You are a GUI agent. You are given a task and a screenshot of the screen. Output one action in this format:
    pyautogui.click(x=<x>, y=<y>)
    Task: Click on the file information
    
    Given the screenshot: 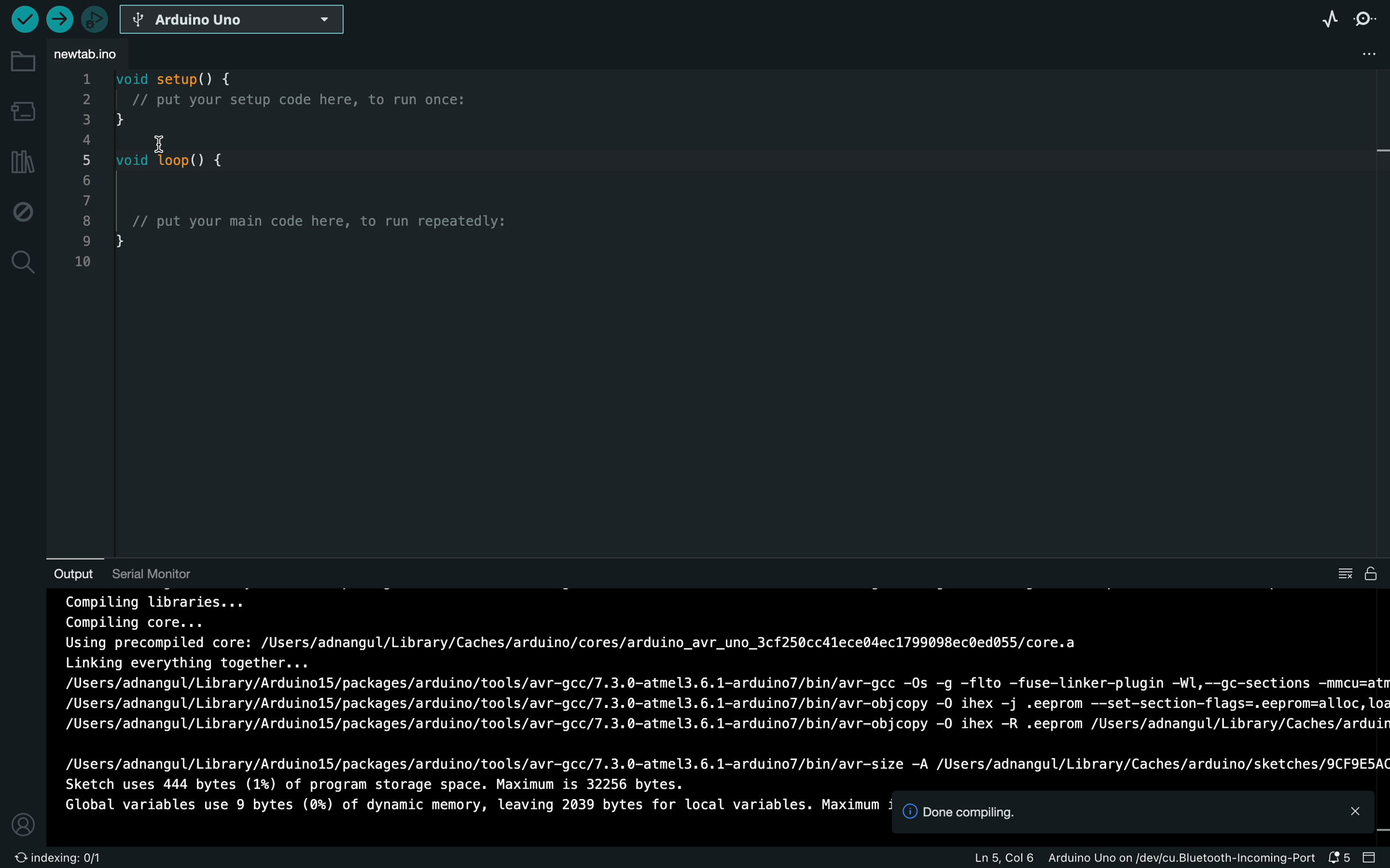 What is the action you would take?
    pyautogui.click(x=1105, y=857)
    